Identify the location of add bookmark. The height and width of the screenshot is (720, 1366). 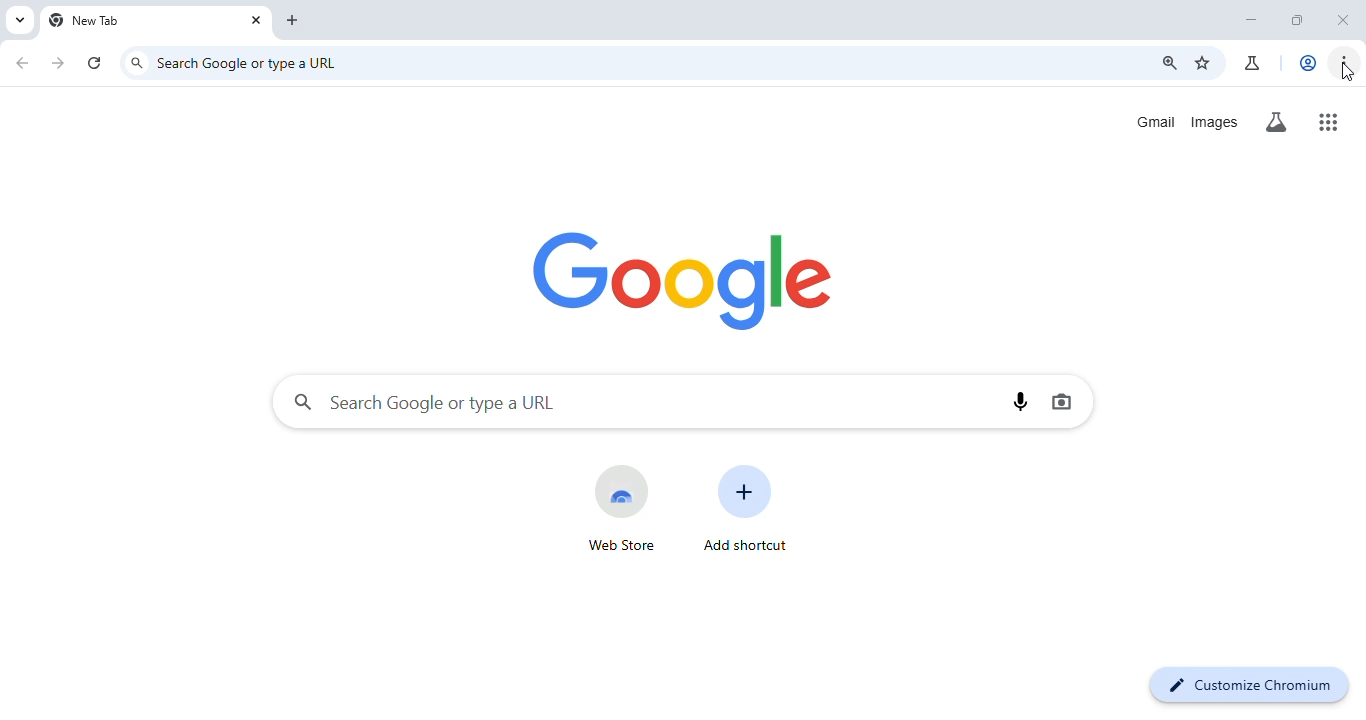
(1204, 64).